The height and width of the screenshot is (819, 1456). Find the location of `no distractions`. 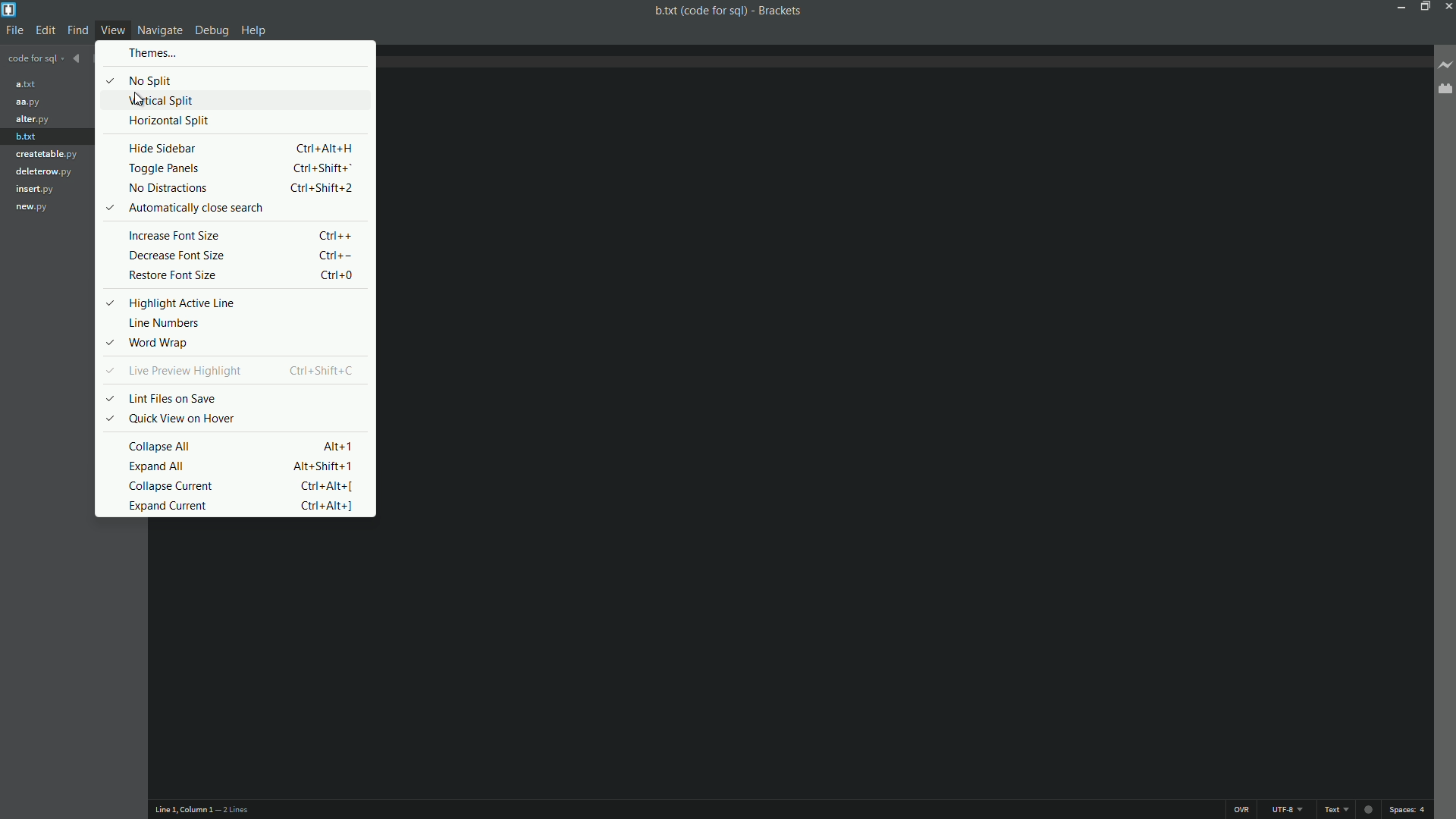

no distractions is located at coordinates (245, 190).